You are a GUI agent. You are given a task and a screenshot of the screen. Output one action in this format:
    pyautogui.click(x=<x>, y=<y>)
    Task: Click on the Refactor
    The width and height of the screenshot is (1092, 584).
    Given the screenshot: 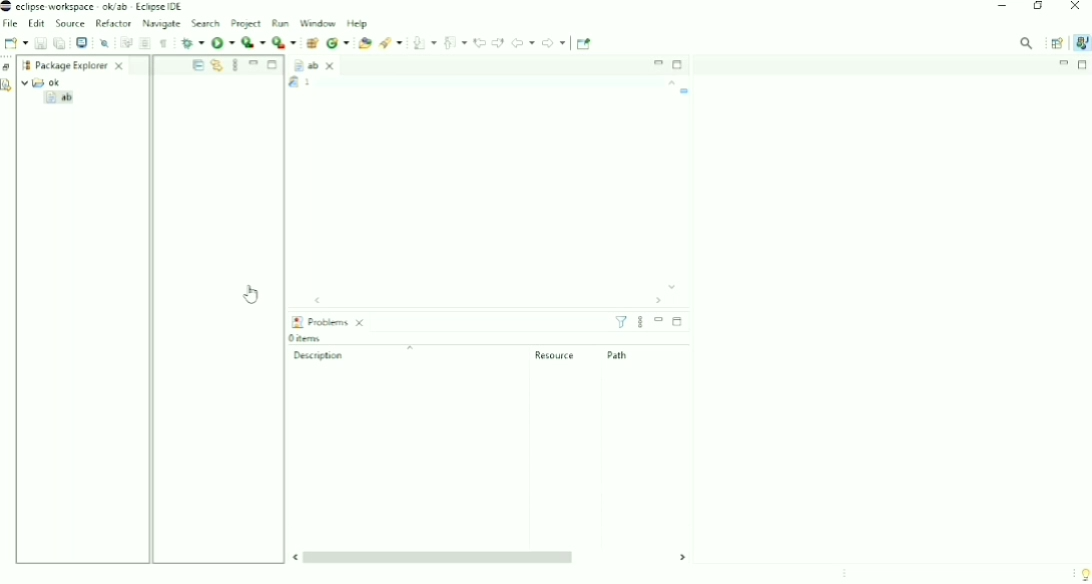 What is the action you would take?
    pyautogui.click(x=113, y=22)
    